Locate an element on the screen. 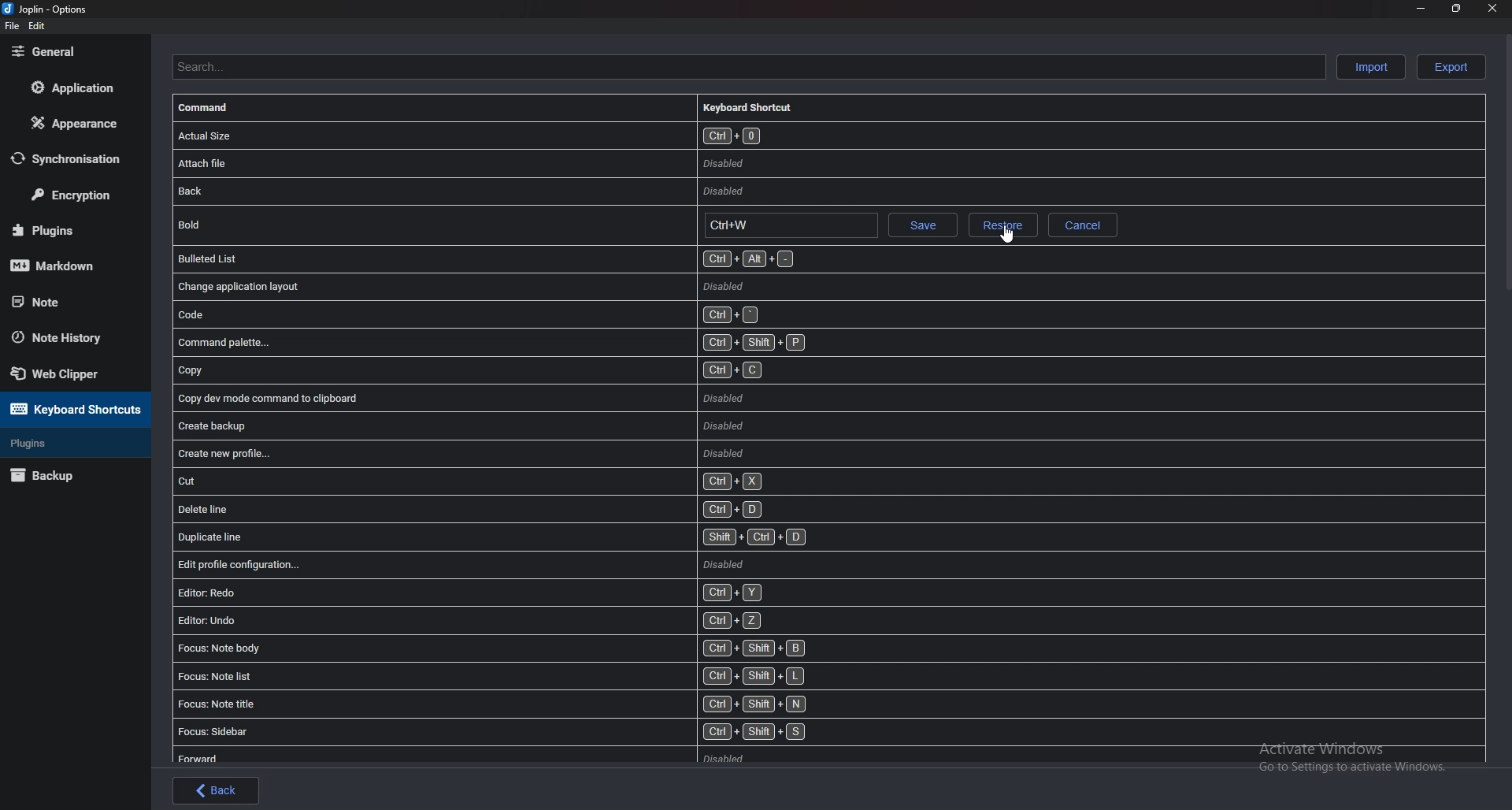 The width and height of the screenshot is (1512, 810). Code is located at coordinates (470, 314).